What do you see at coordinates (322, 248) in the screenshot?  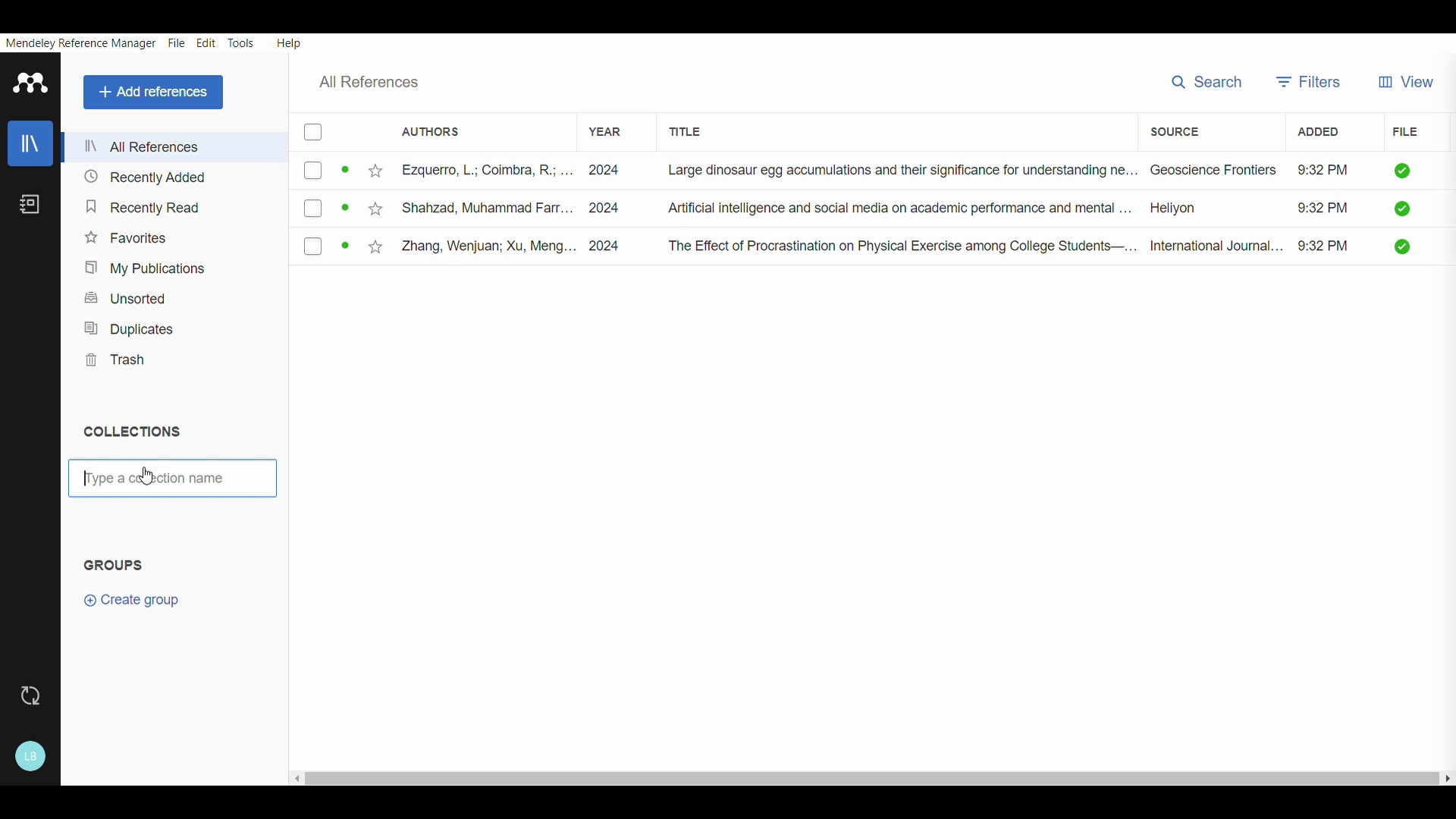 I see `checkbox` at bounding box center [322, 248].